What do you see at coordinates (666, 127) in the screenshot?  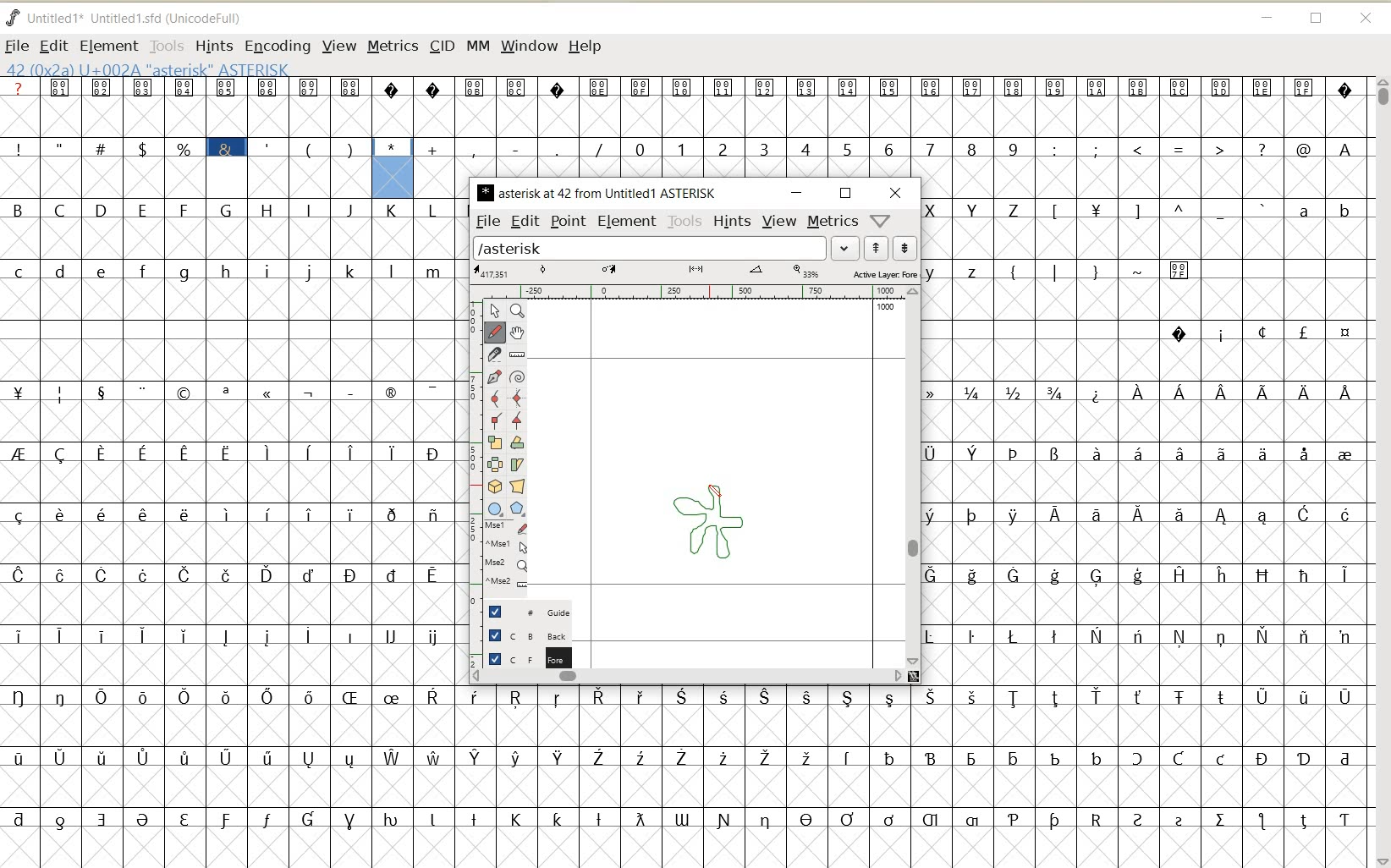 I see `GLYPHY SPECIAL CHARACTERS AND NUMBERS` at bounding box center [666, 127].